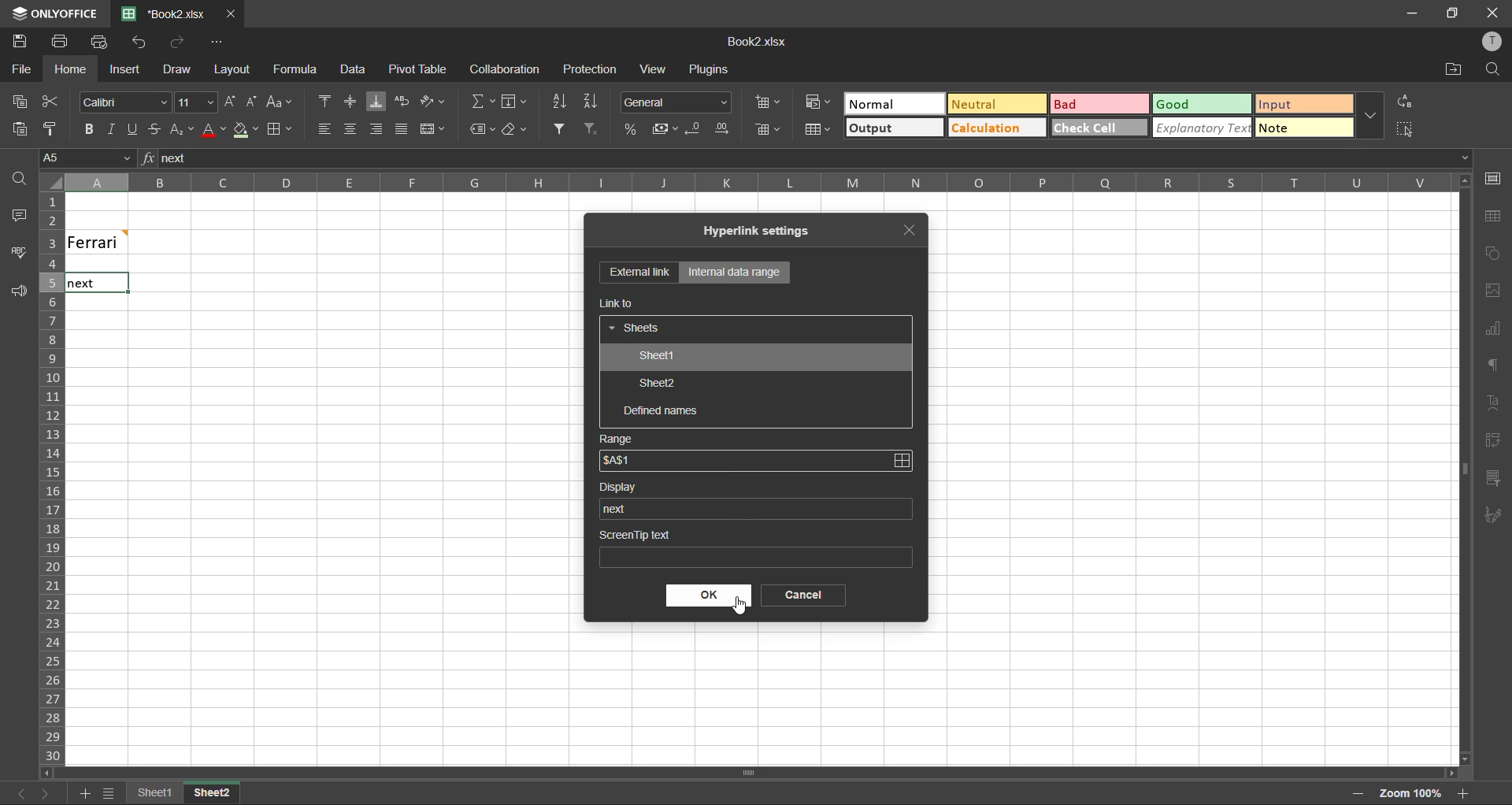 The height and width of the screenshot is (805, 1512). I want to click on decrement size, so click(250, 100).